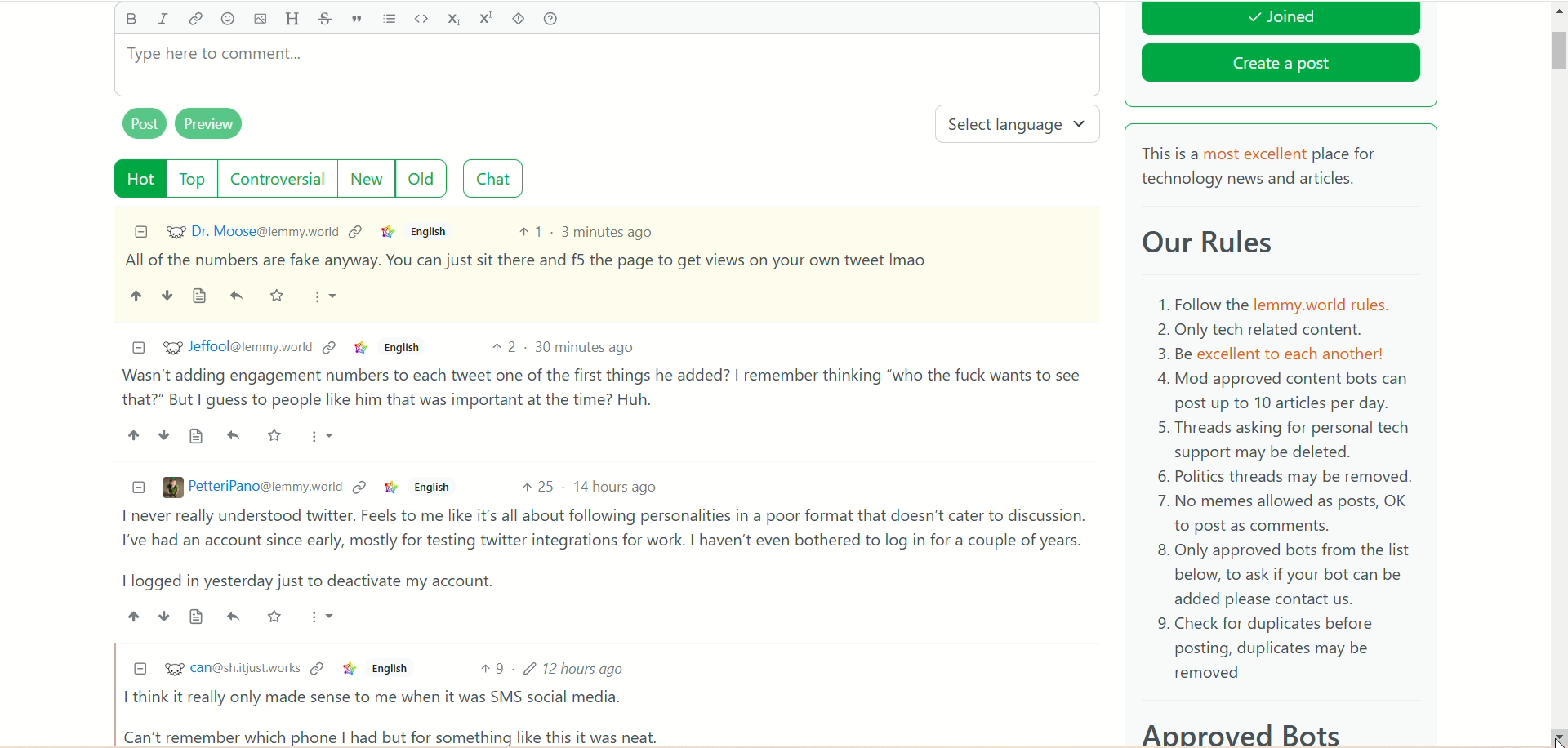 The image size is (1568, 748). What do you see at coordinates (234, 615) in the screenshot?
I see `Share` at bounding box center [234, 615].